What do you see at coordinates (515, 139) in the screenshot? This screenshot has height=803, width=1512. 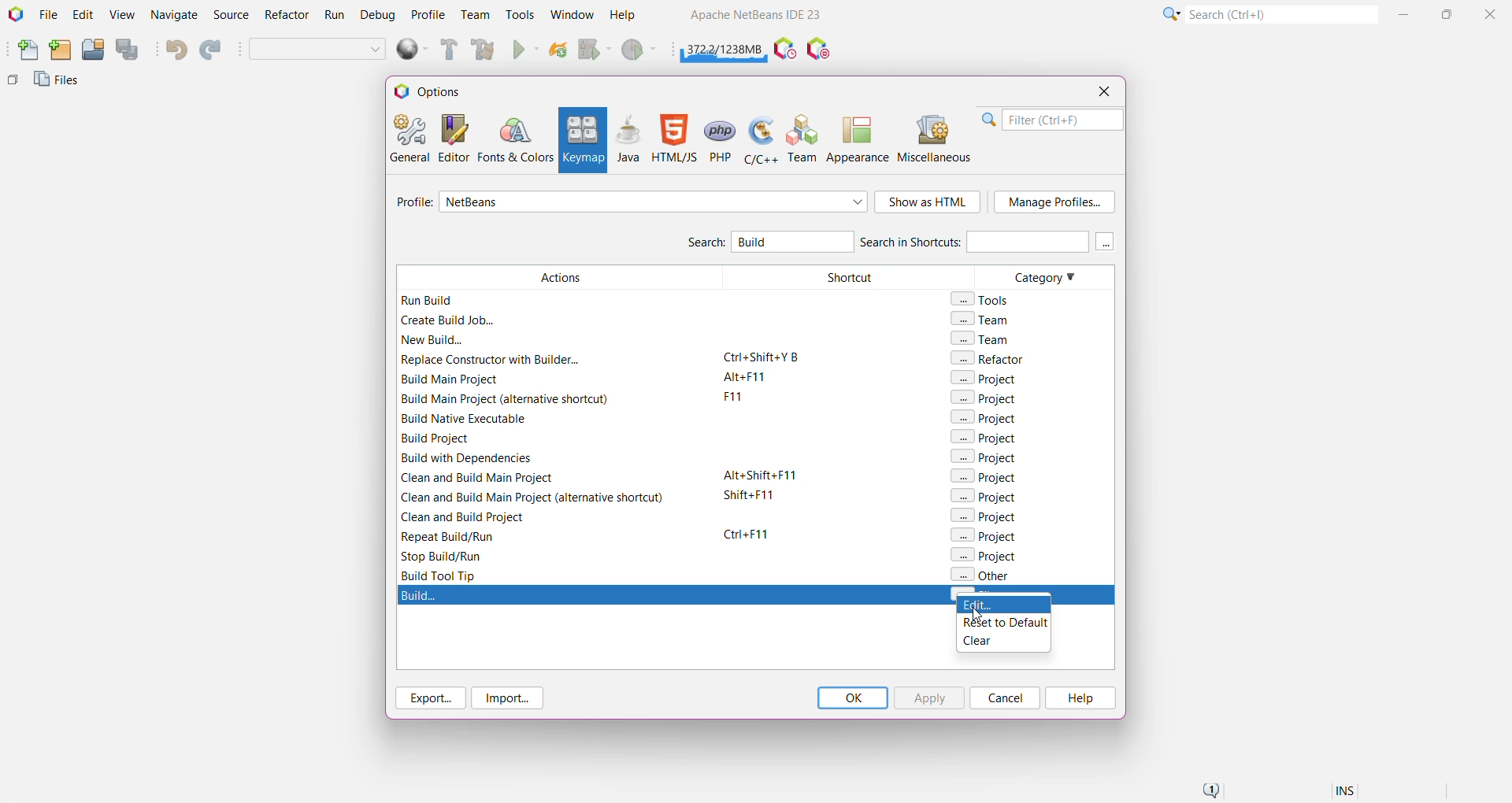 I see `Fonts and Colors` at bounding box center [515, 139].